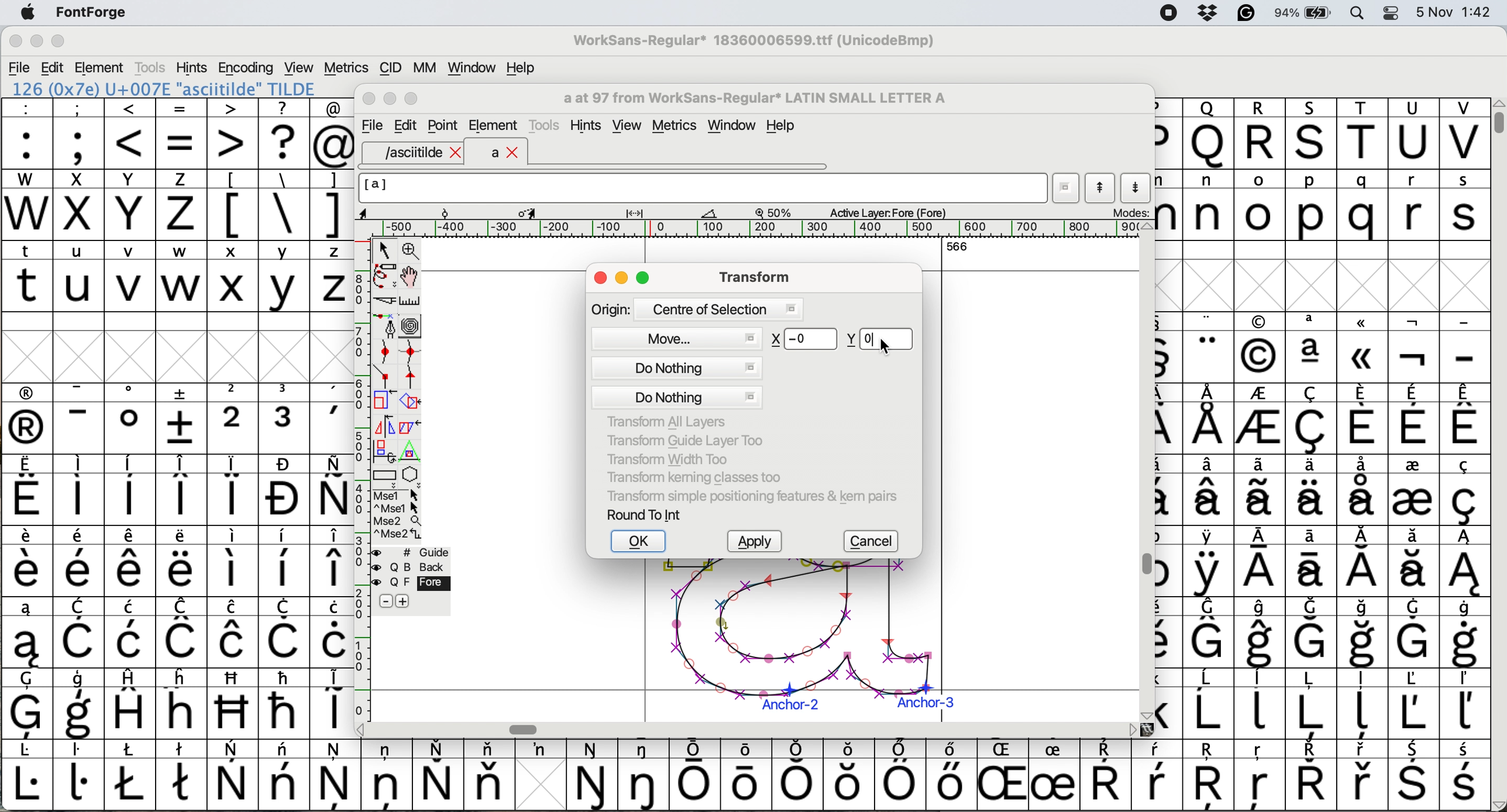 The image size is (1507, 812). I want to click on symbol, so click(80, 705).